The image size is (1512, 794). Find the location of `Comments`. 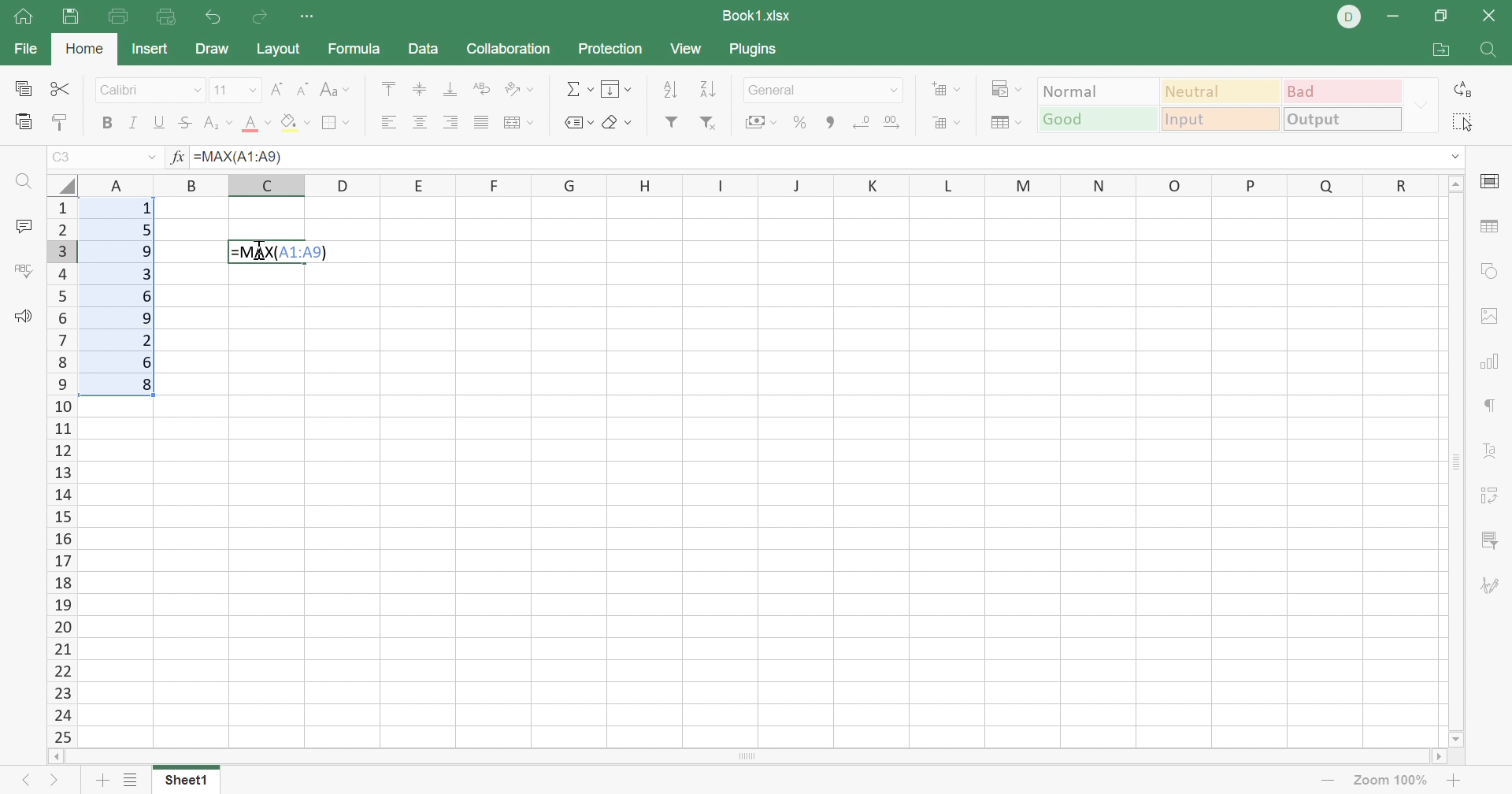

Comments is located at coordinates (21, 225).